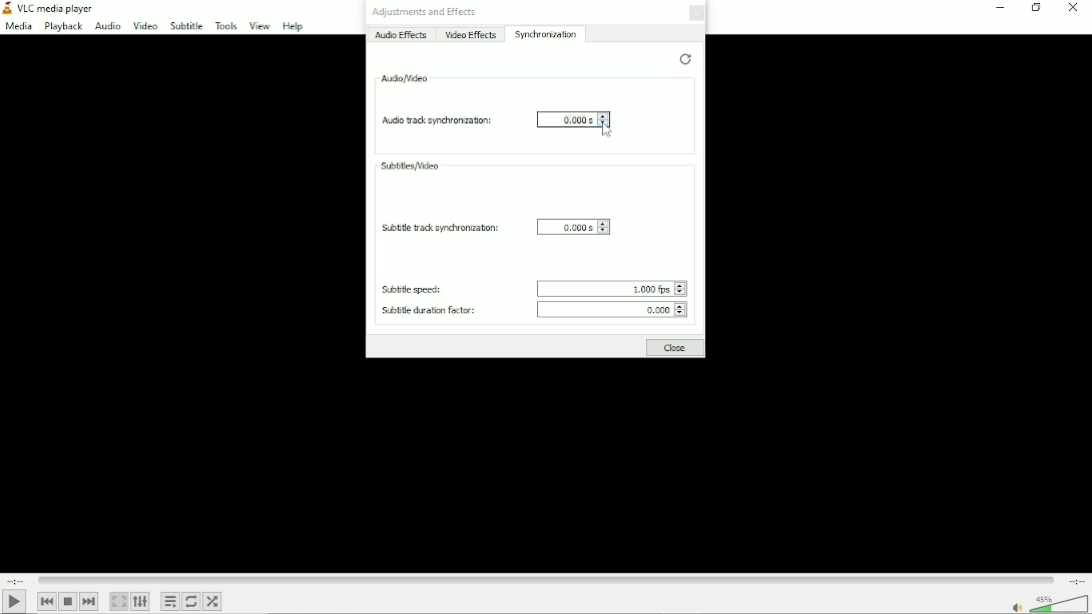 Image resolution: width=1092 pixels, height=614 pixels. What do you see at coordinates (213, 602) in the screenshot?
I see `Random` at bounding box center [213, 602].